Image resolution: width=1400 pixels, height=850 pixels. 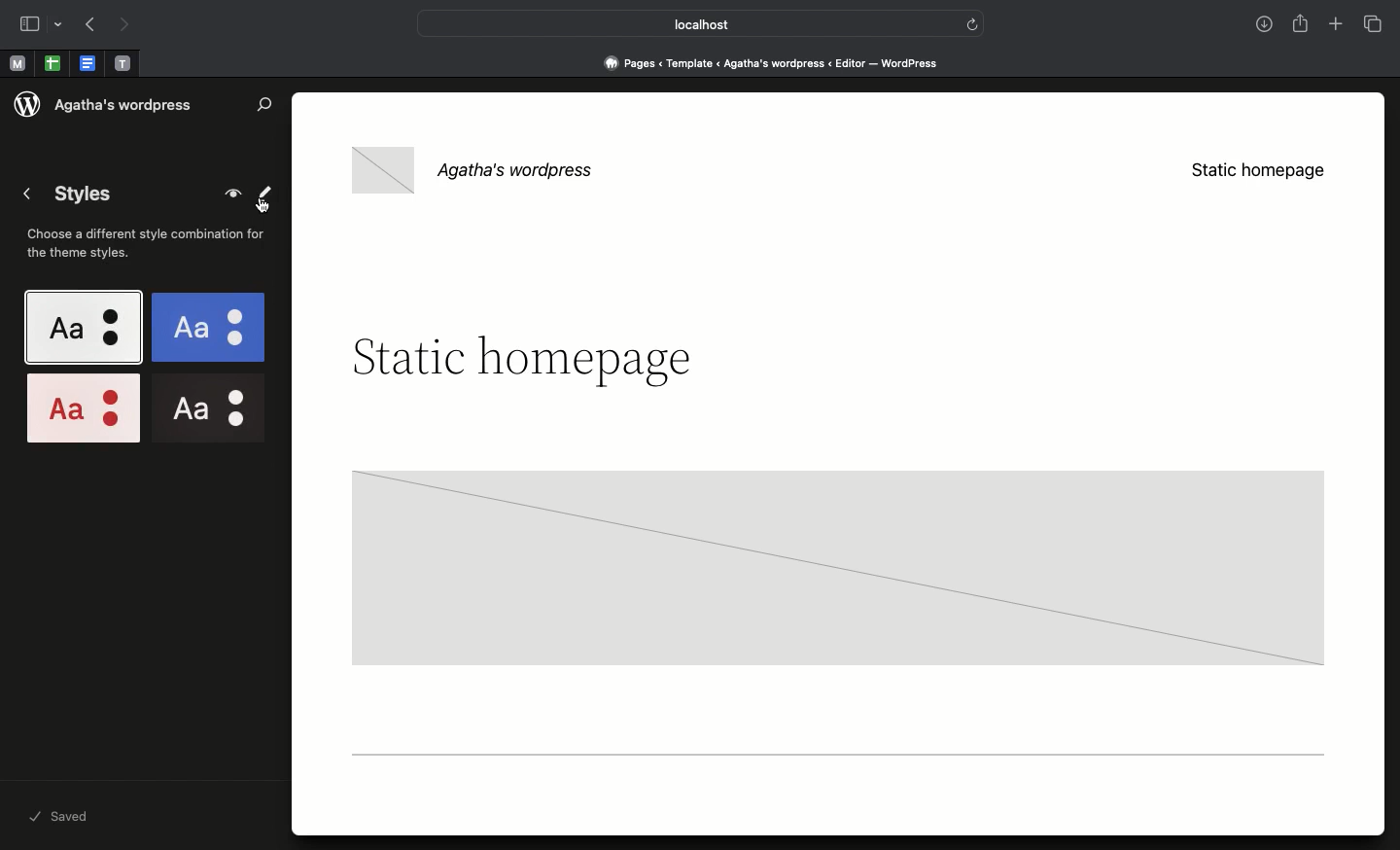 What do you see at coordinates (71, 195) in the screenshot?
I see `Styles` at bounding box center [71, 195].